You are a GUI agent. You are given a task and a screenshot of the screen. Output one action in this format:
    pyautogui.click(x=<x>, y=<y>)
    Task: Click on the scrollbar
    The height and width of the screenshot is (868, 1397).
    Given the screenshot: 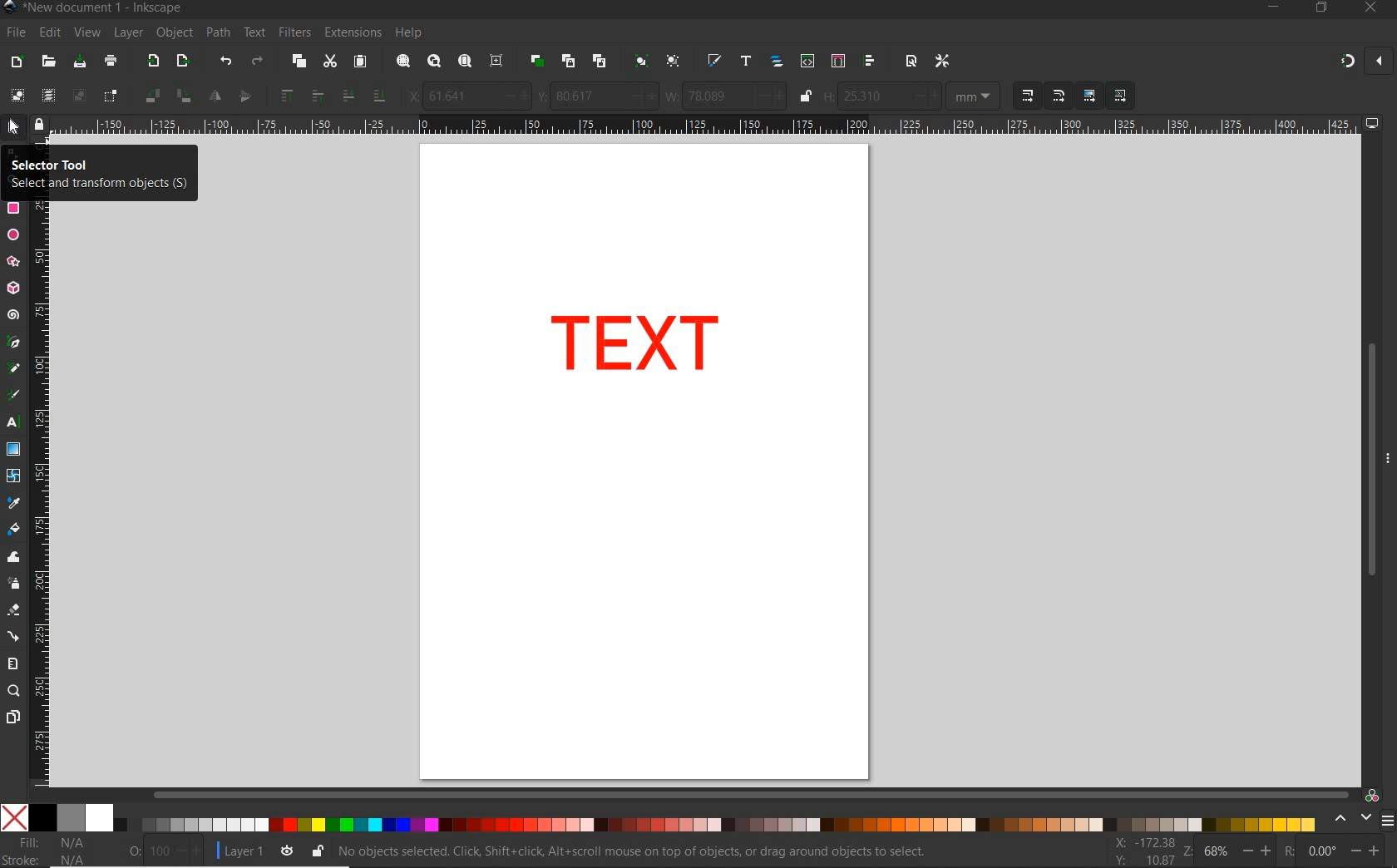 What is the action you would take?
    pyautogui.click(x=1370, y=460)
    